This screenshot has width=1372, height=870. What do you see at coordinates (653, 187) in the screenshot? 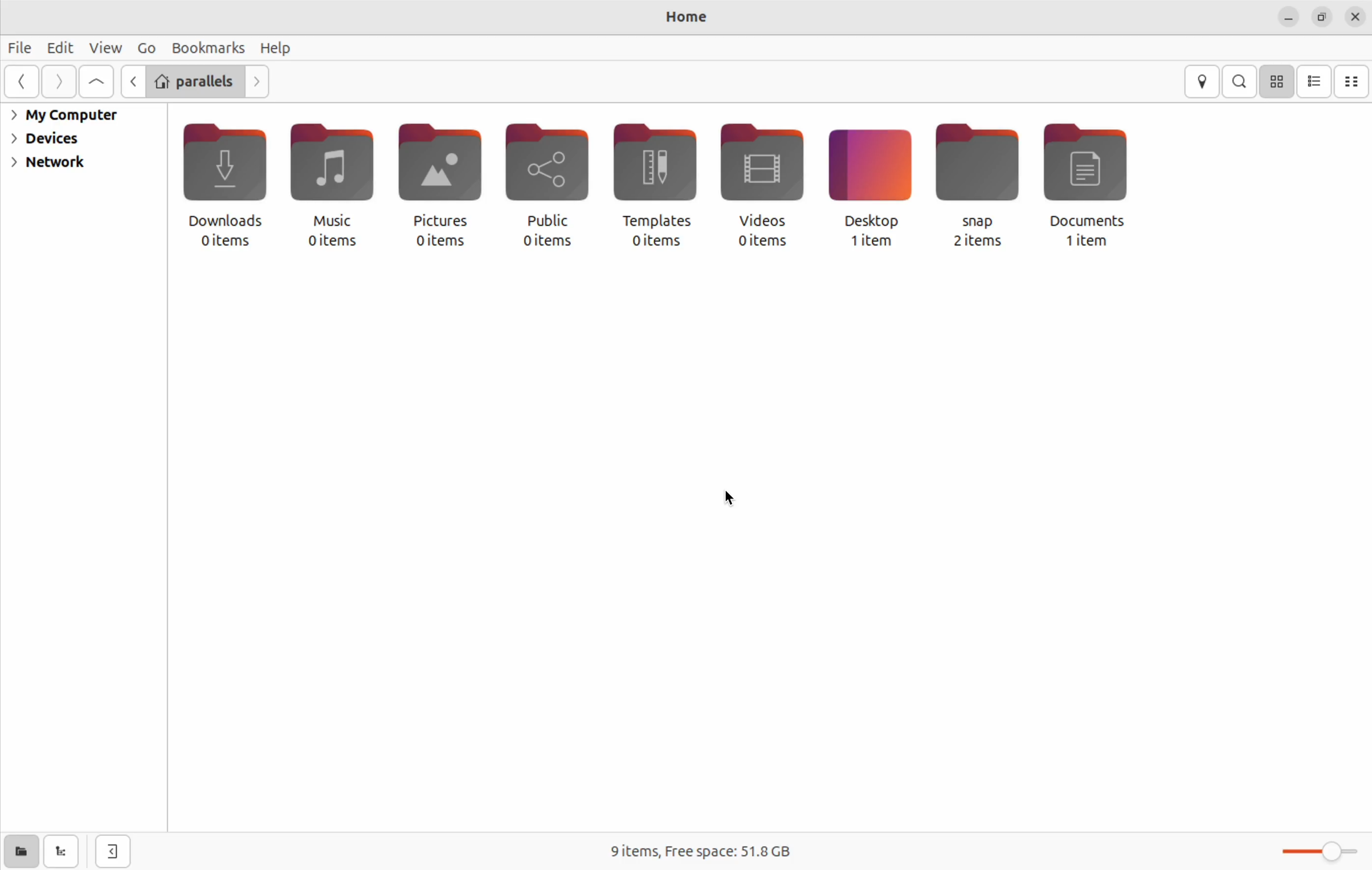
I see `templates 0 items` at bounding box center [653, 187].